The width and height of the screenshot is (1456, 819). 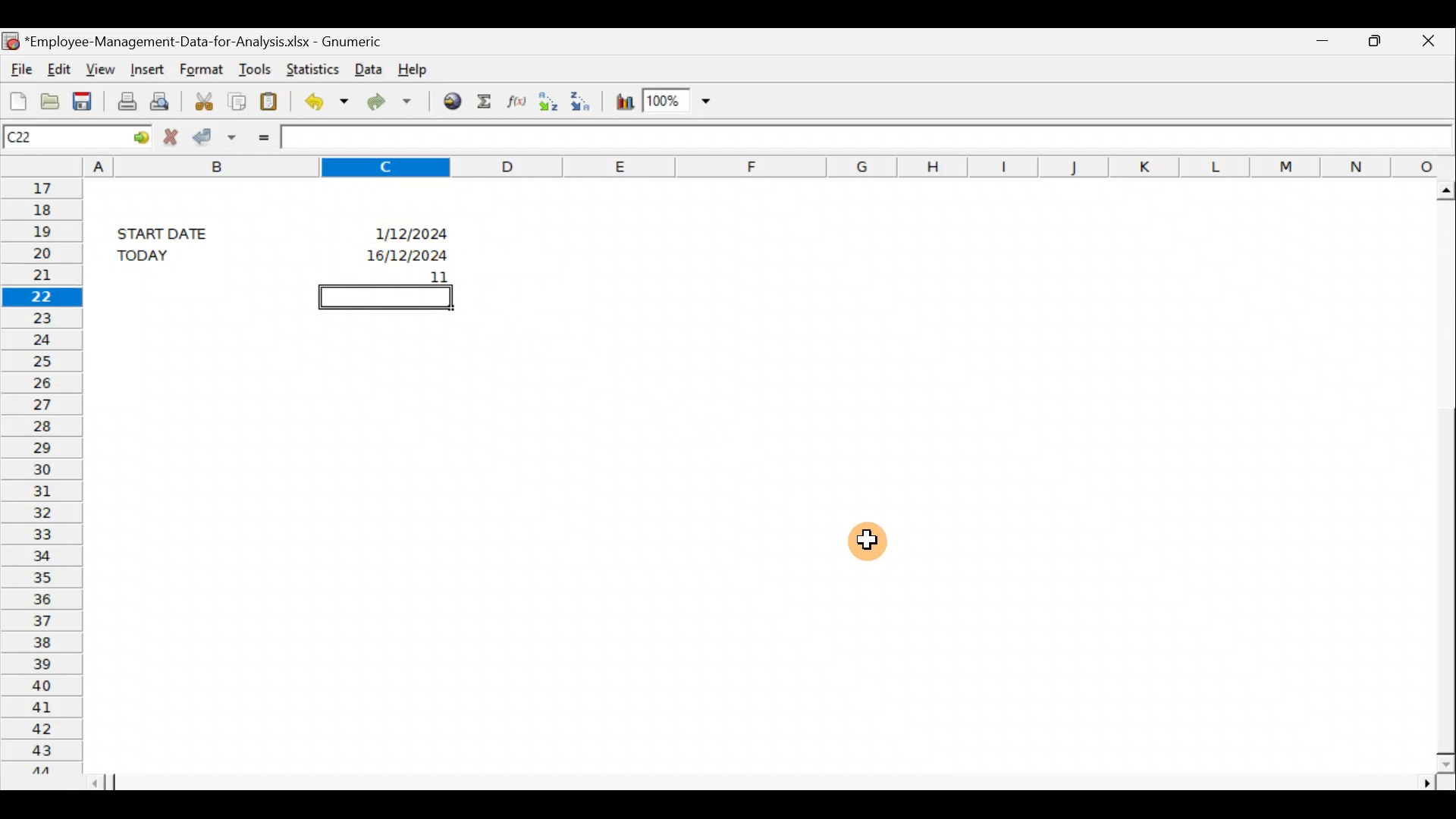 I want to click on 1/12/2024, so click(x=413, y=235).